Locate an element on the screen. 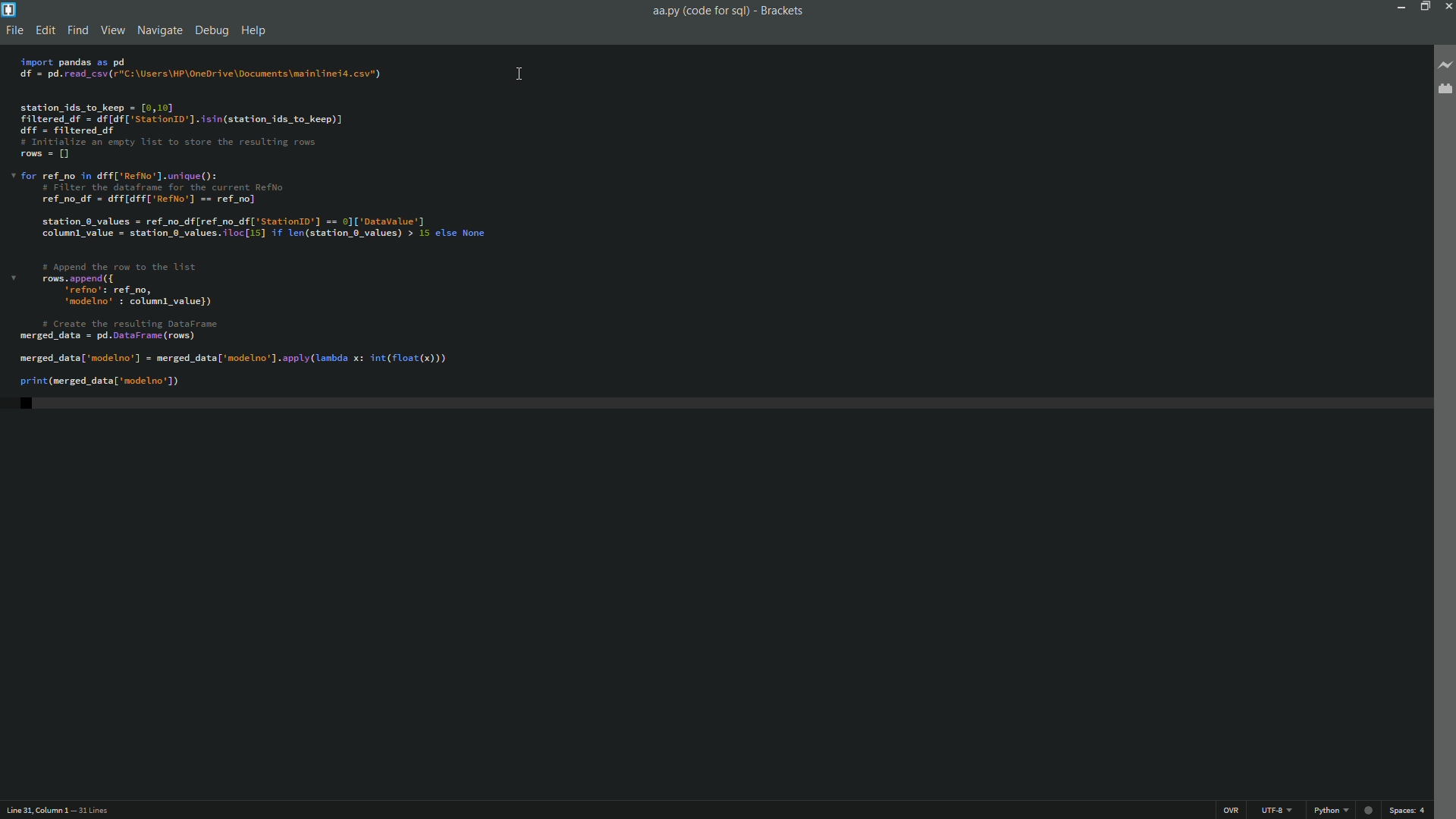 Image resolution: width=1456 pixels, height=819 pixels. ins is located at coordinates (1232, 810).